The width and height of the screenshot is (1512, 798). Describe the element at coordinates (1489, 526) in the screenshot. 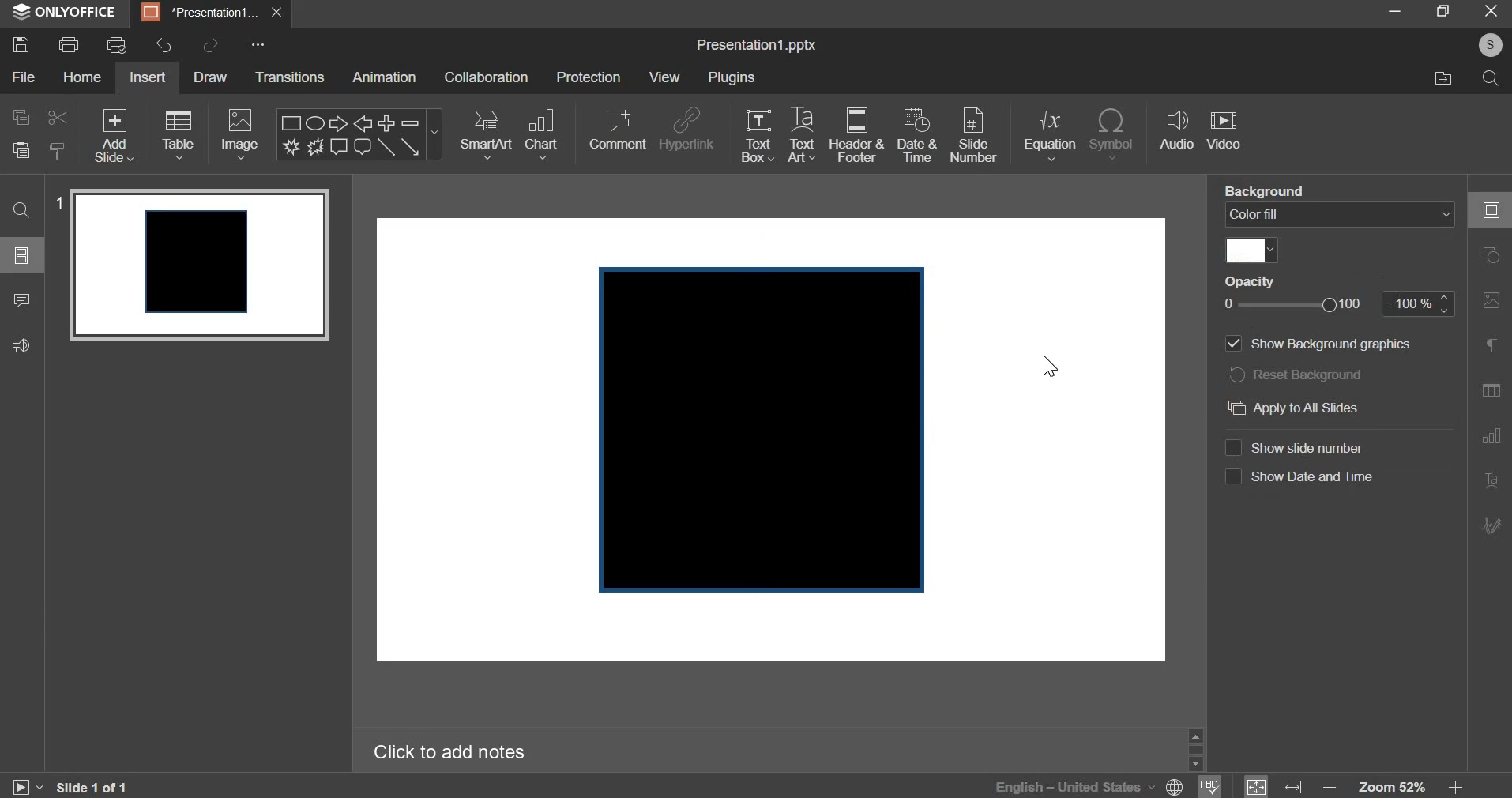

I see `Goback` at that location.